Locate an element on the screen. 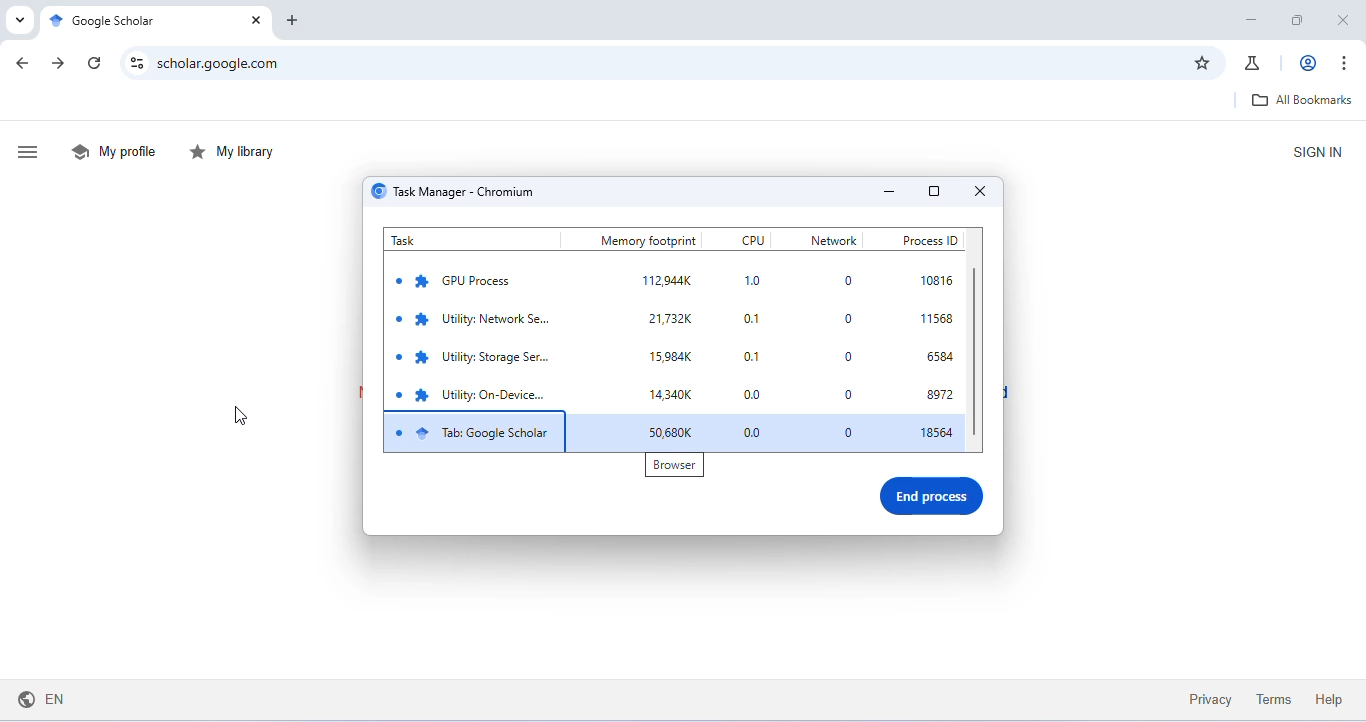  GPU process is located at coordinates (456, 281).